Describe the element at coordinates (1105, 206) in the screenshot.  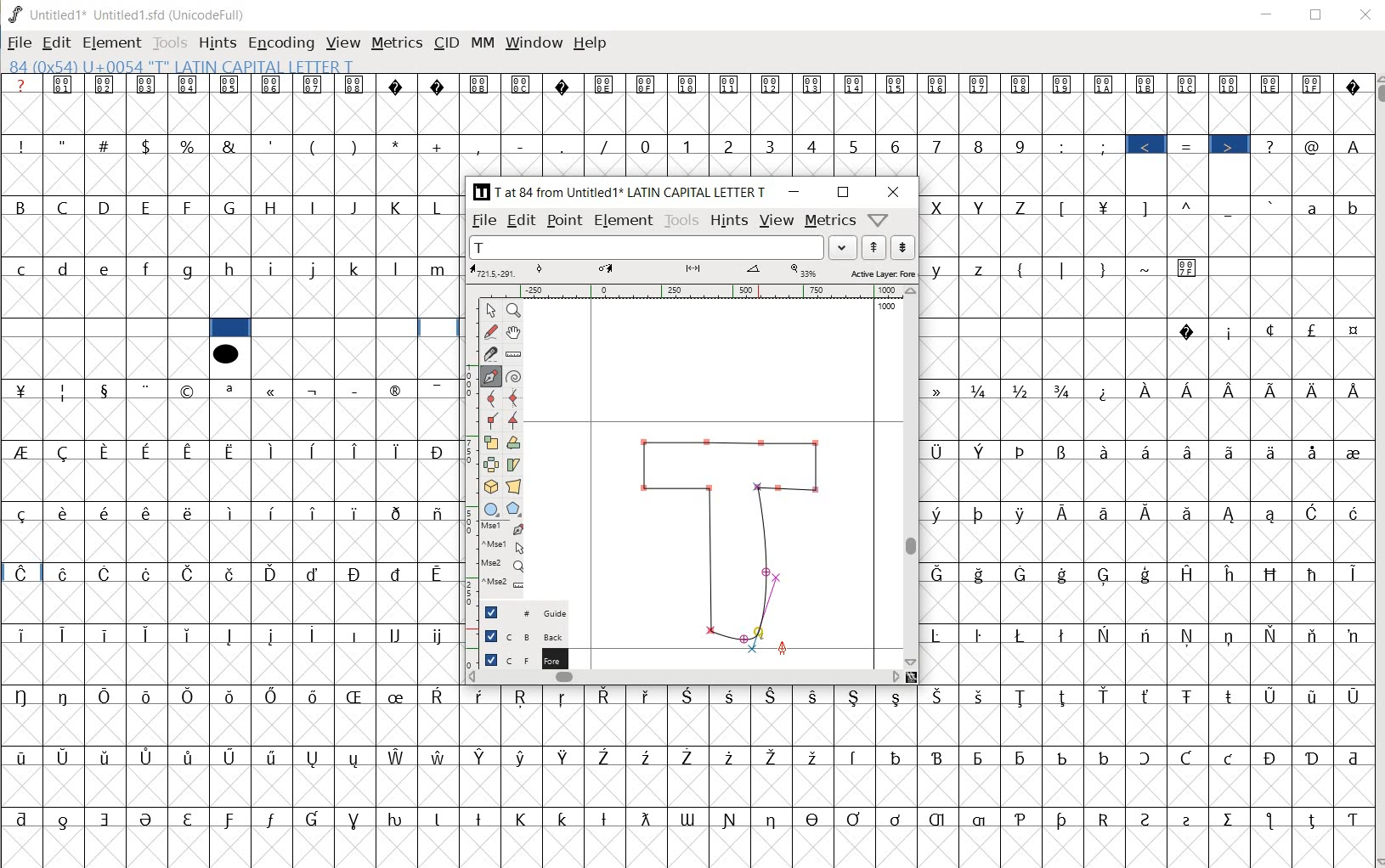
I see `Symbol` at that location.